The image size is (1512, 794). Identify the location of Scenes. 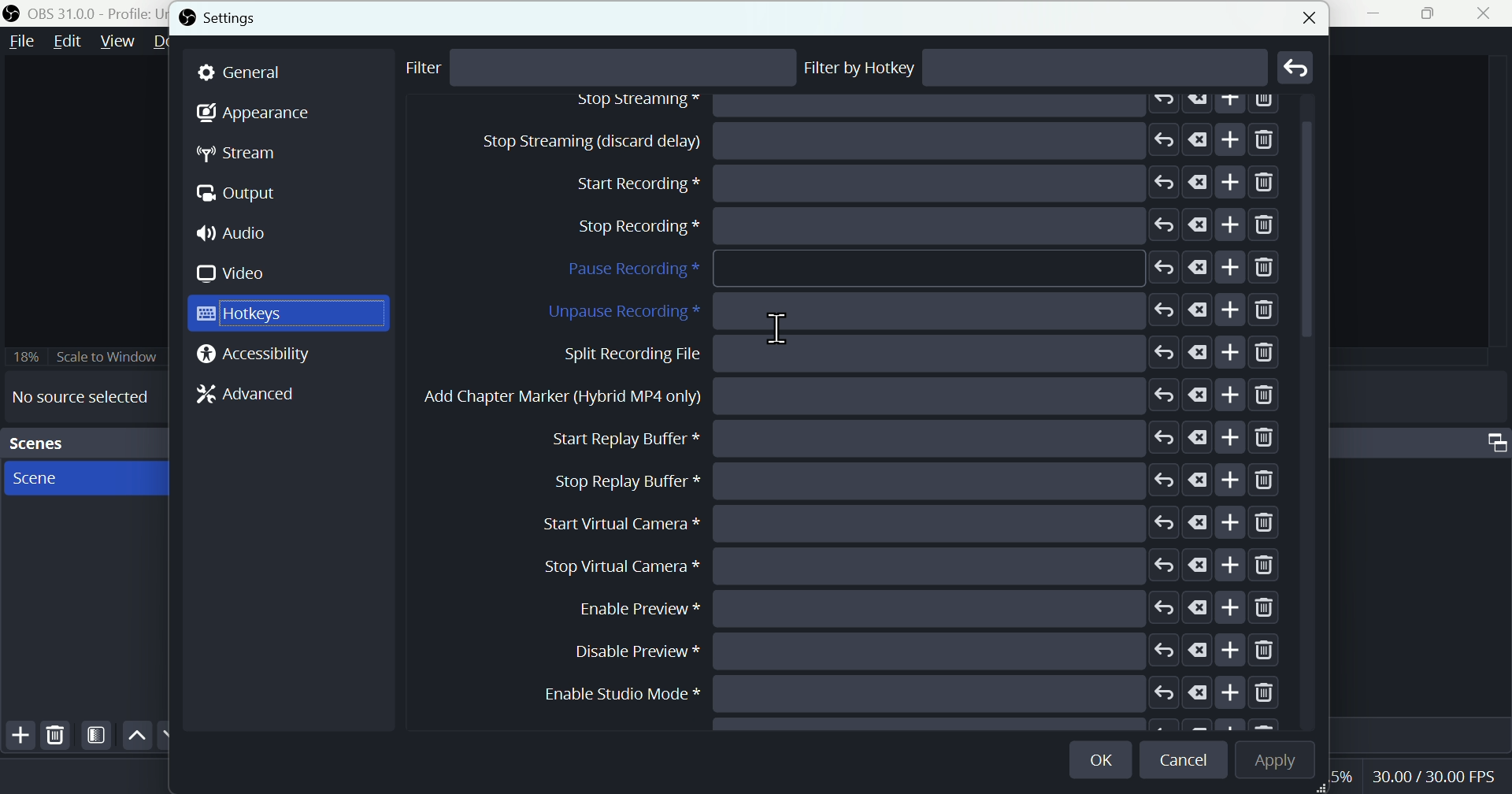
(82, 443).